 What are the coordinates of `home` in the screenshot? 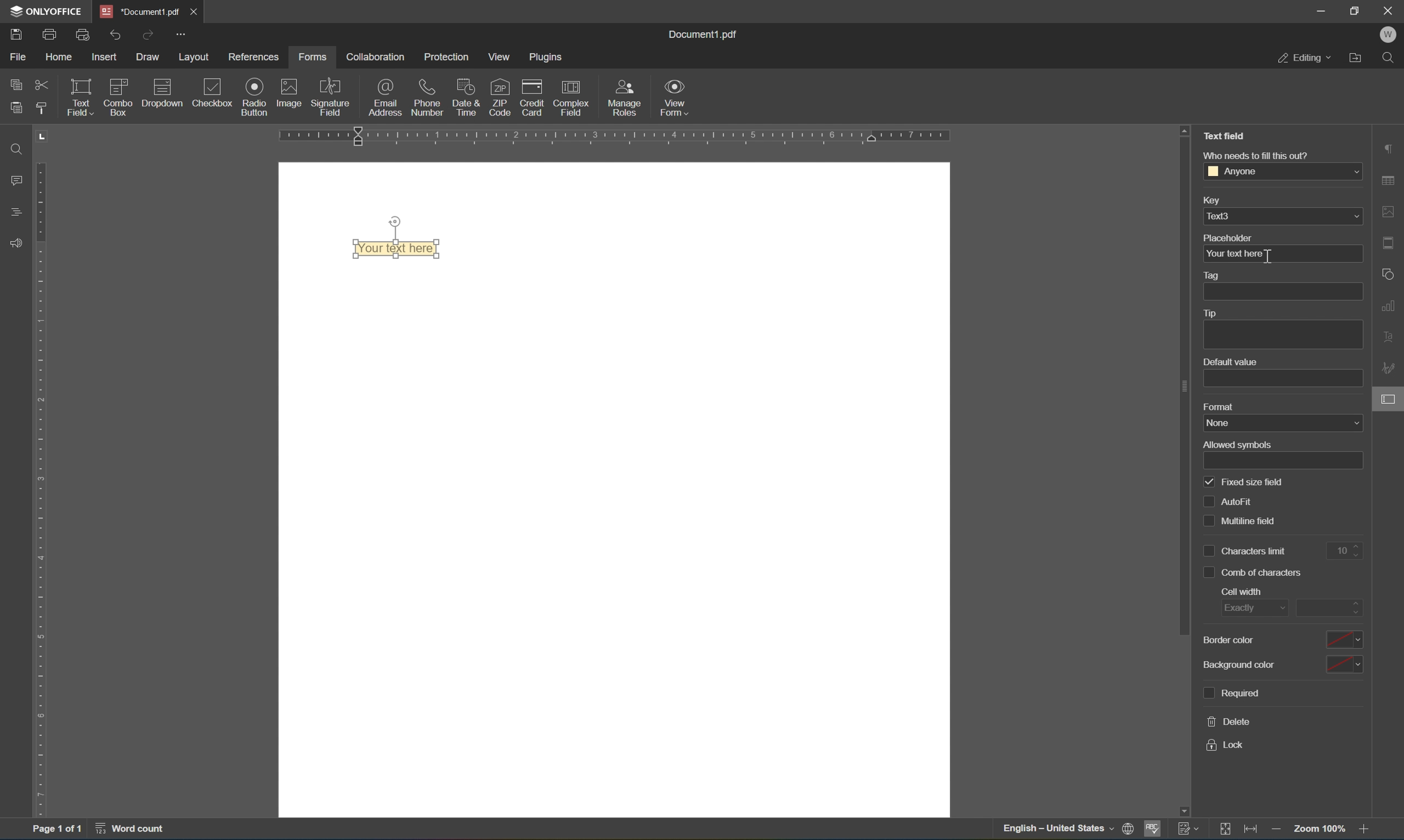 It's located at (59, 58).